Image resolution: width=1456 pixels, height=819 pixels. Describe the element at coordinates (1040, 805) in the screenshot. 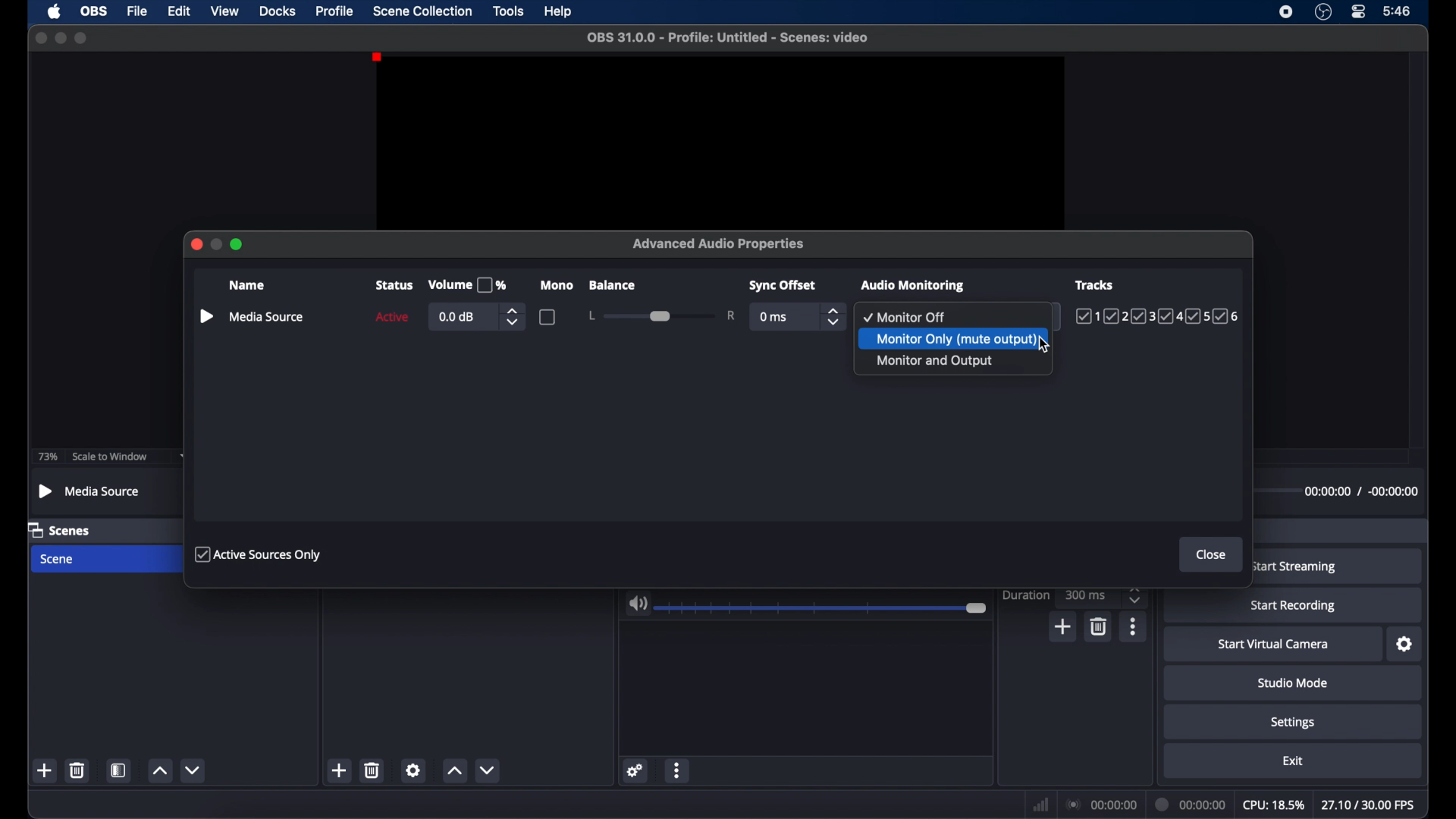

I see `network` at that location.